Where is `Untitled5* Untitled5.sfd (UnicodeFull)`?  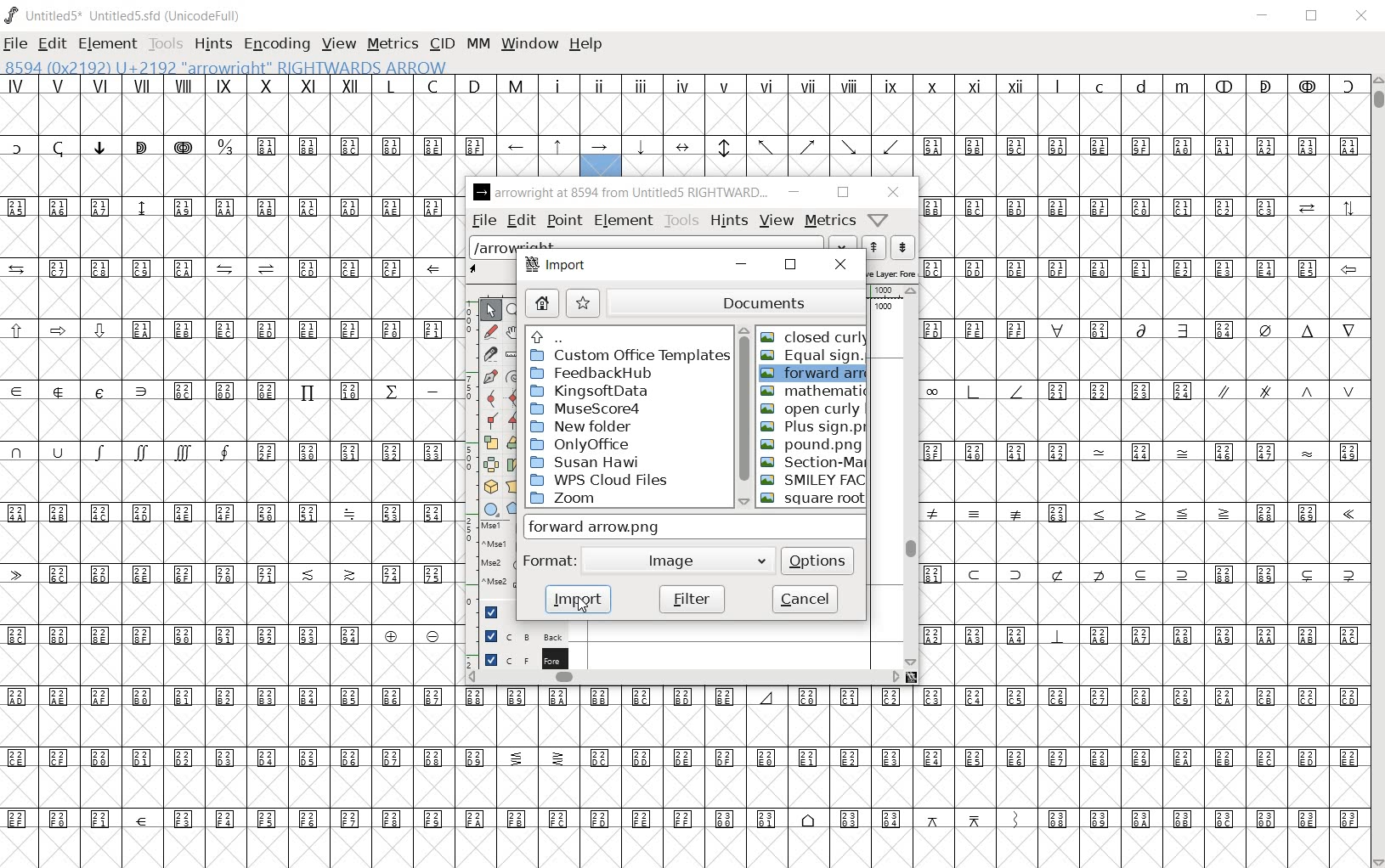
Untitled5* Untitled5.sfd (UnicodeFull) is located at coordinates (126, 15).